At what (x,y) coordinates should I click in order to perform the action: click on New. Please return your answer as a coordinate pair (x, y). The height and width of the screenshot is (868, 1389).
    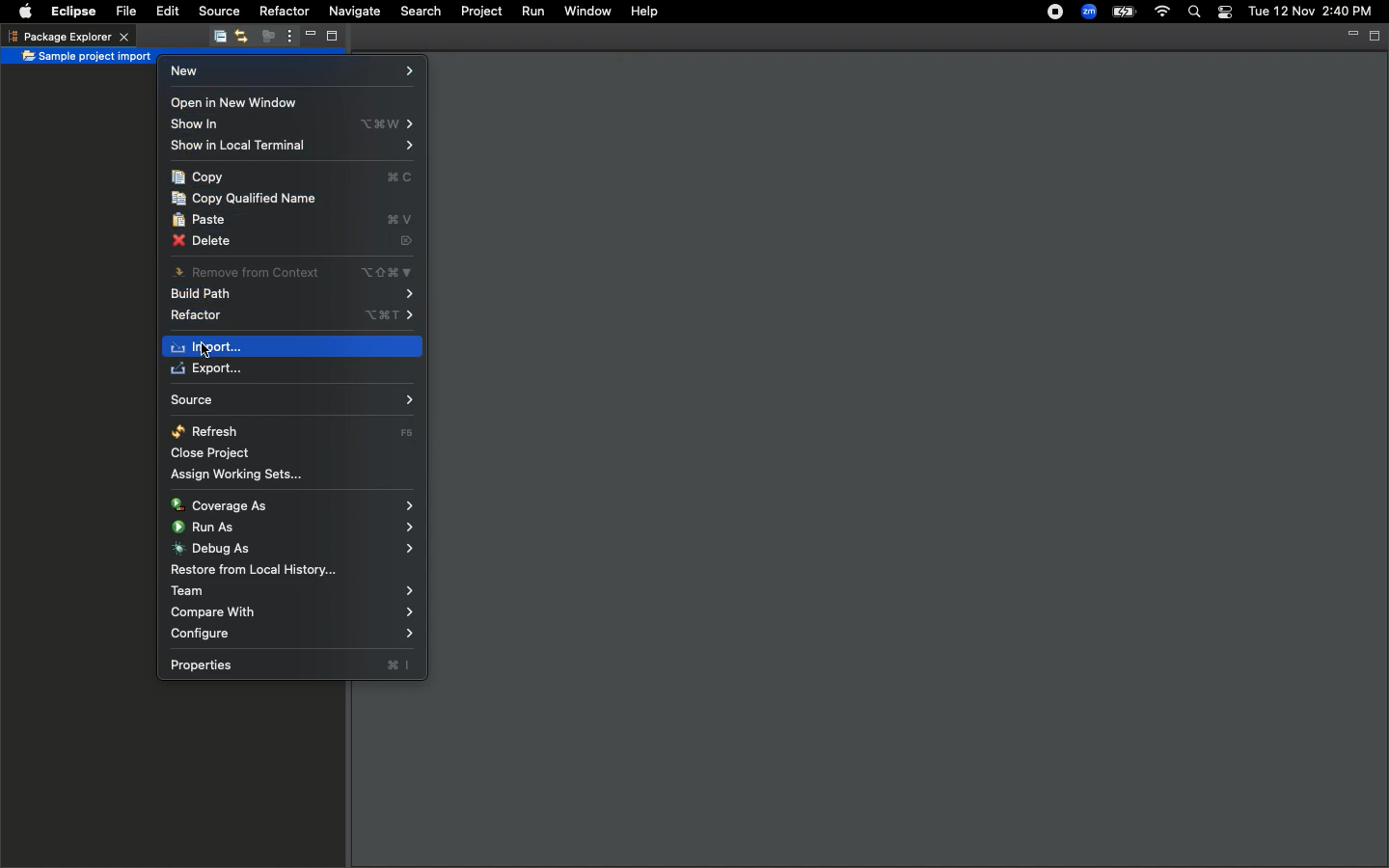
    Looking at the image, I should click on (289, 75).